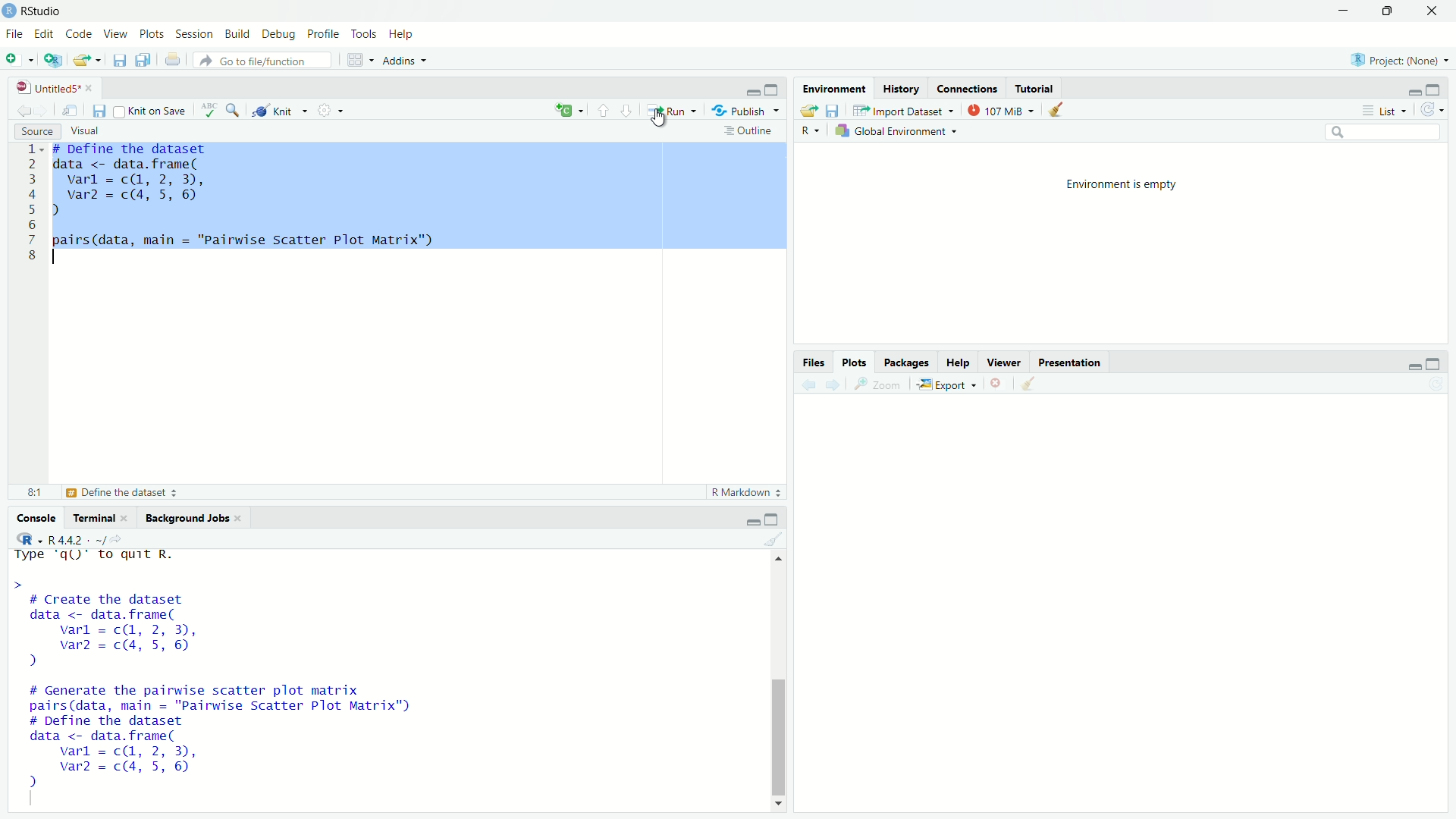 The width and height of the screenshot is (1456, 819). What do you see at coordinates (626, 110) in the screenshot?
I see `Go to next section/chunk (Ctrl + pgDn)` at bounding box center [626, 110].